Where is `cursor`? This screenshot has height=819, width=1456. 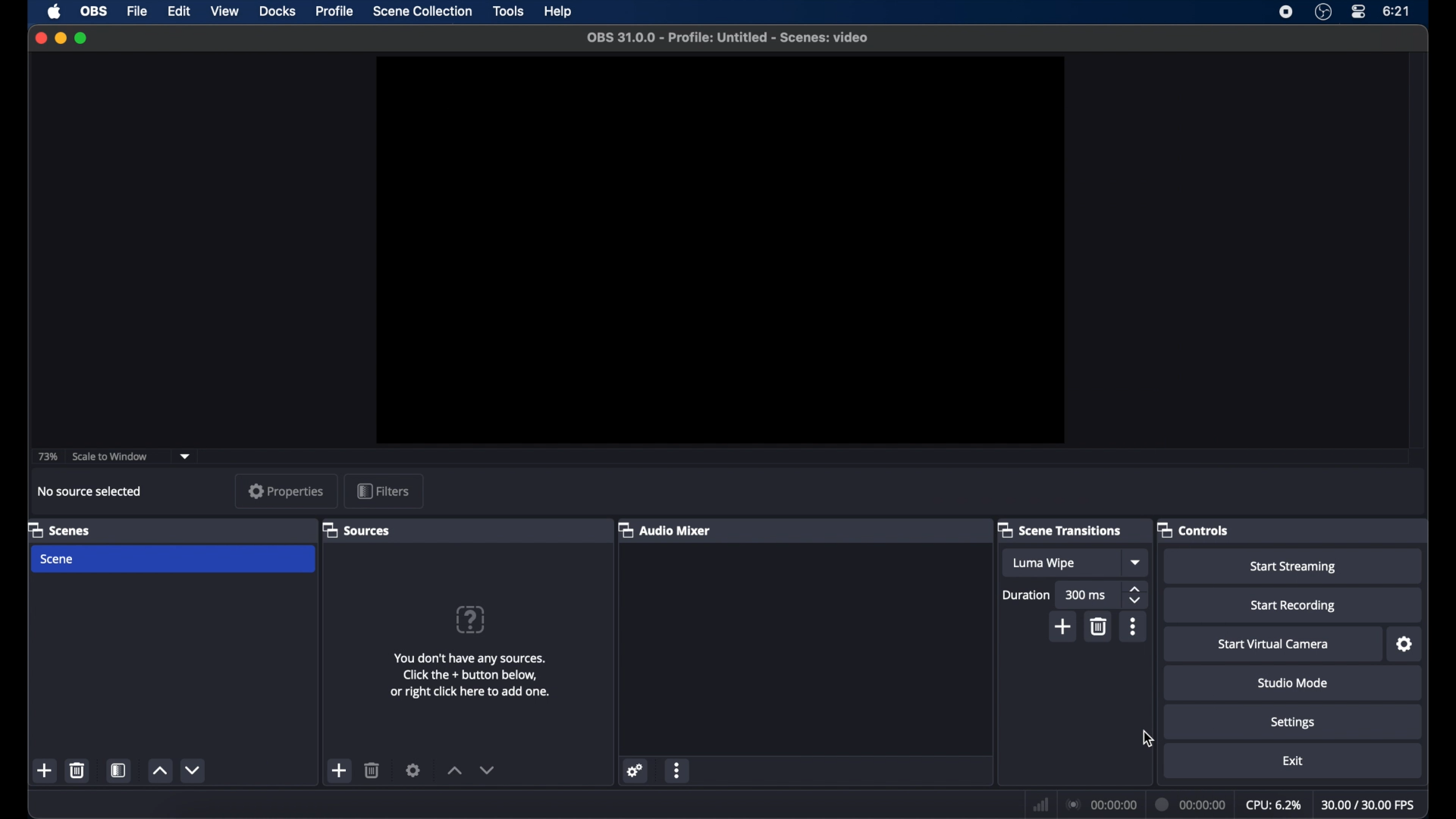 cursor is located at coordinates (1147, 739).